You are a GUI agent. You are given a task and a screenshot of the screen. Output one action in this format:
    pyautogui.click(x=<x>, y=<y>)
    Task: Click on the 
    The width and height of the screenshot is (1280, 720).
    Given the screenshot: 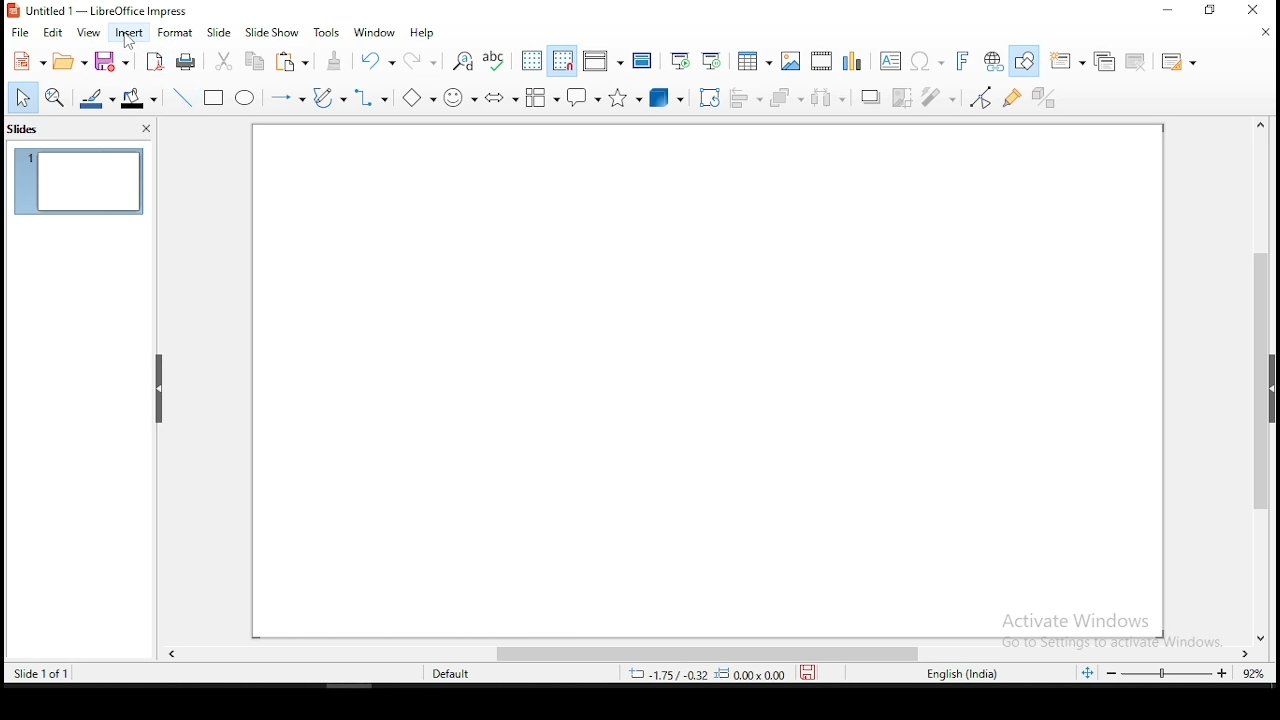 What is the action you would take?
    pyautogui.click(x=851, y=59)
    